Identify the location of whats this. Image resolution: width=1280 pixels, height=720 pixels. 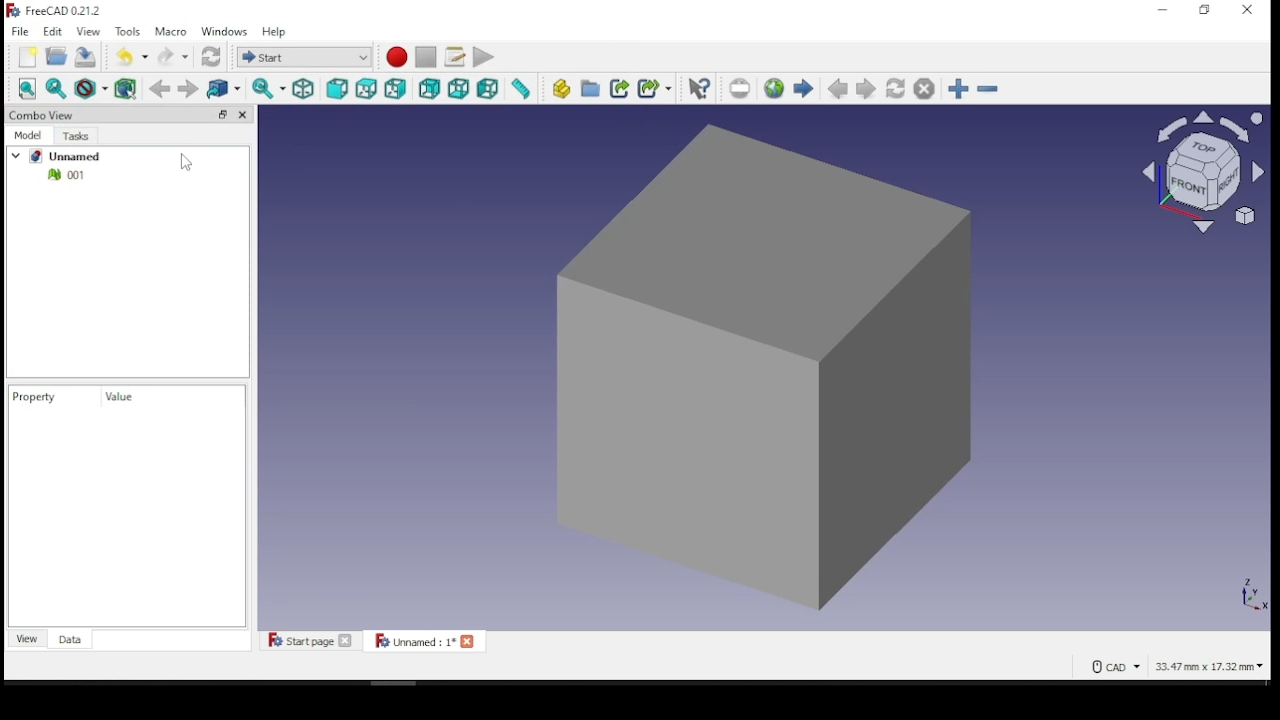
(699, 88).